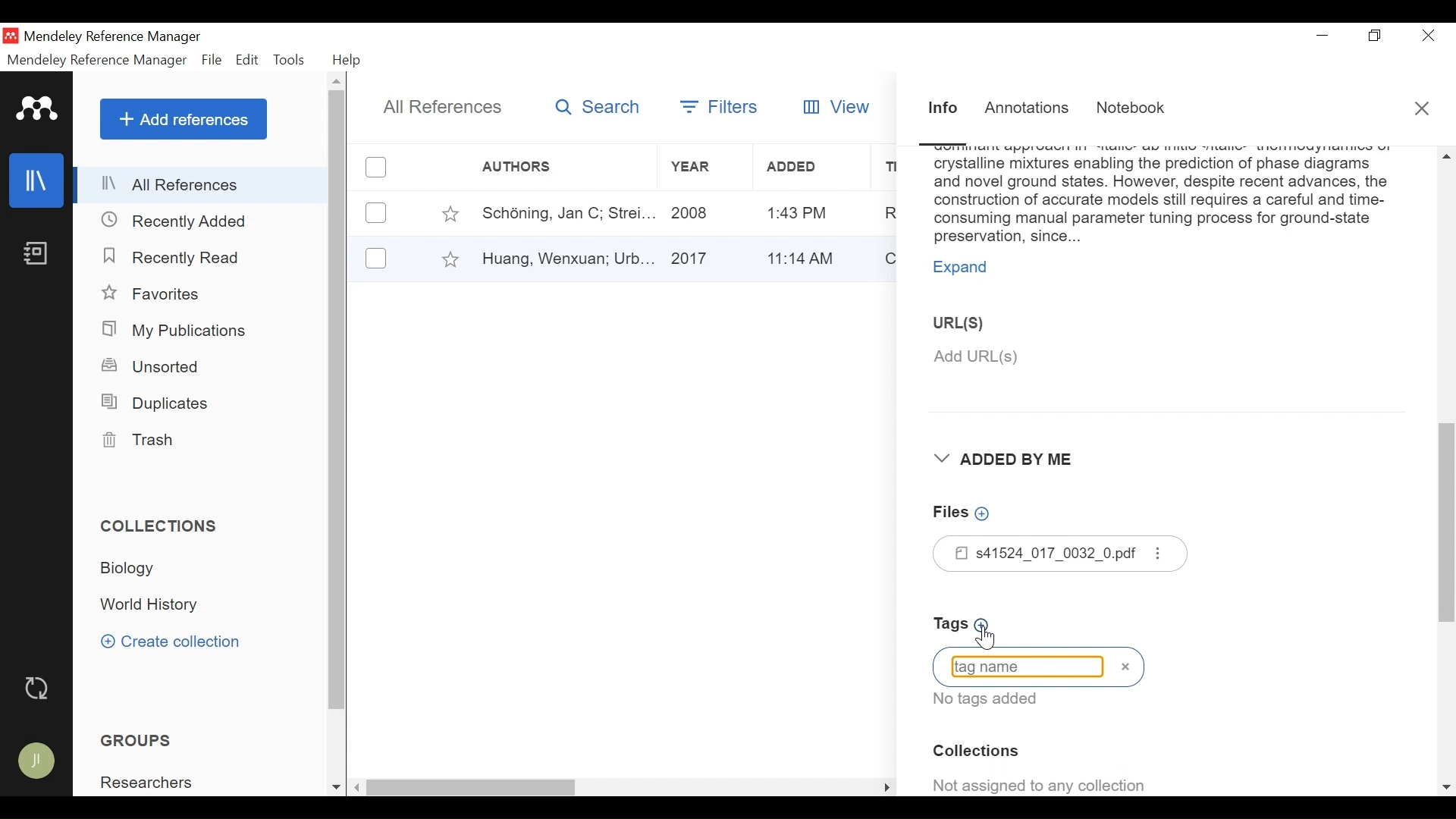  What do you see at coordinates (808, 168) in the screenshot?
I see `Added` at bounding box center [808, 168].